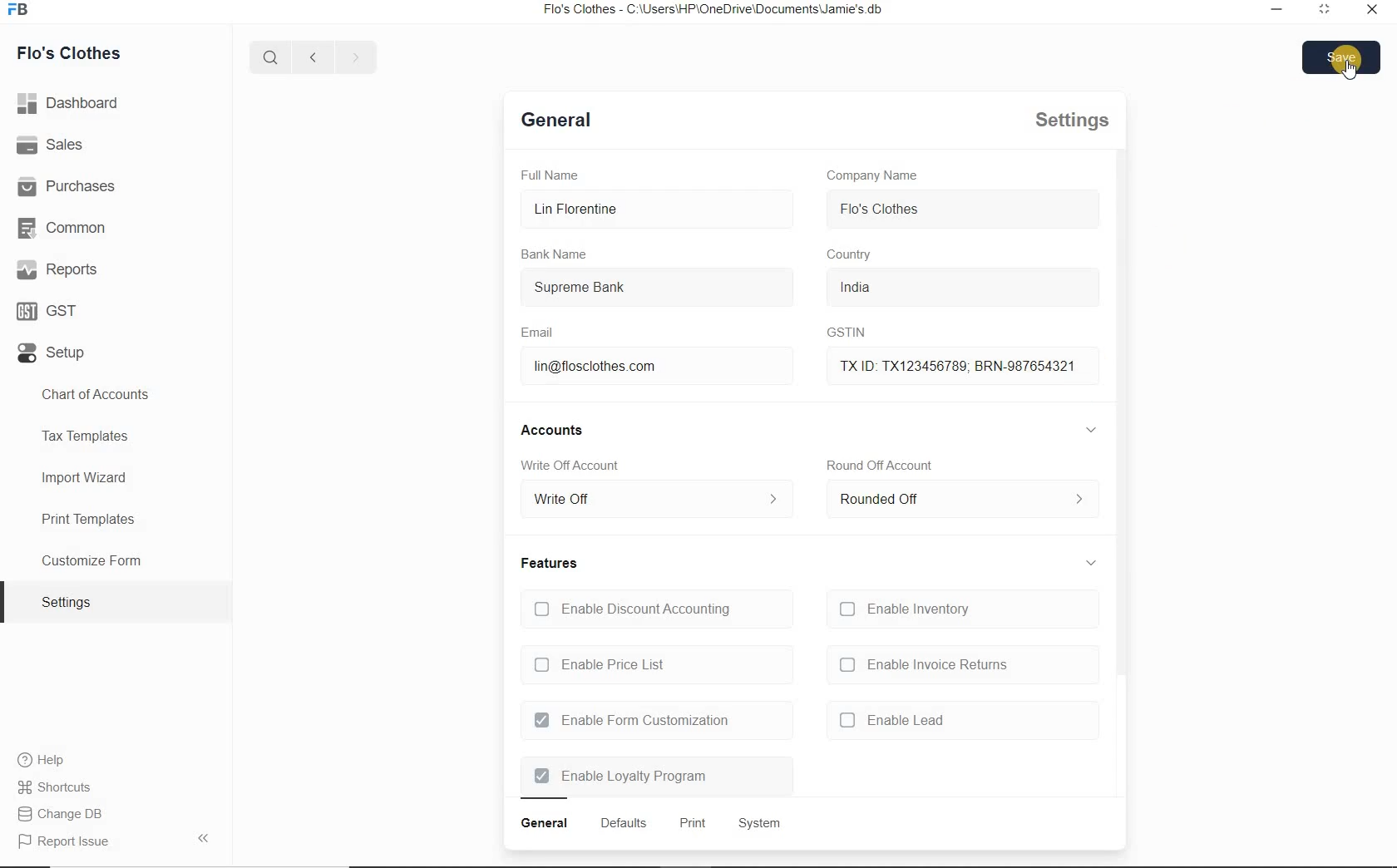 The width and height of the screenshot is (1397, 868). I want to click on Purchases, so click(75, 187).